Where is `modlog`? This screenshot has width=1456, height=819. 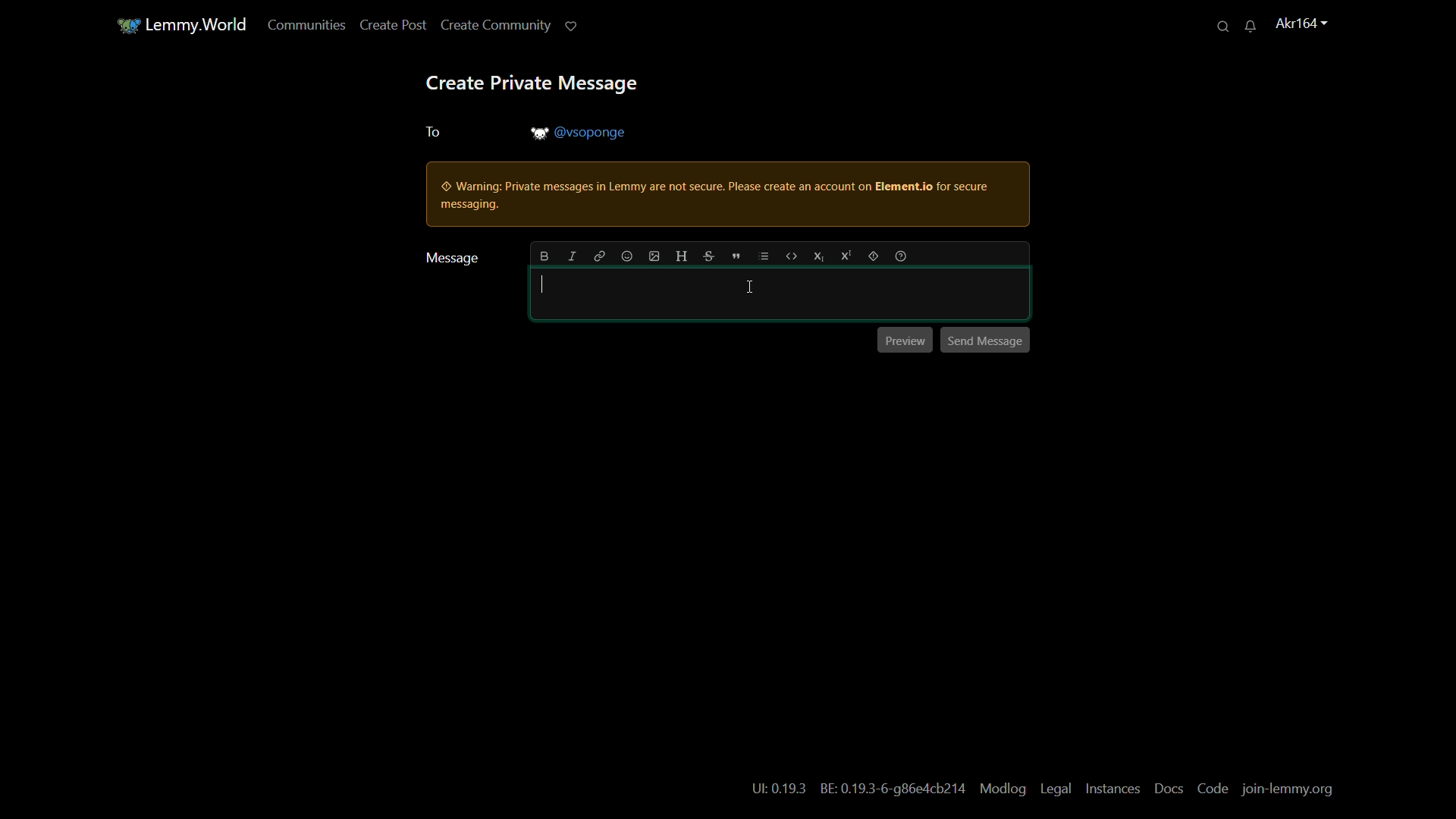 modlog is located at coordinates (1003, 789).